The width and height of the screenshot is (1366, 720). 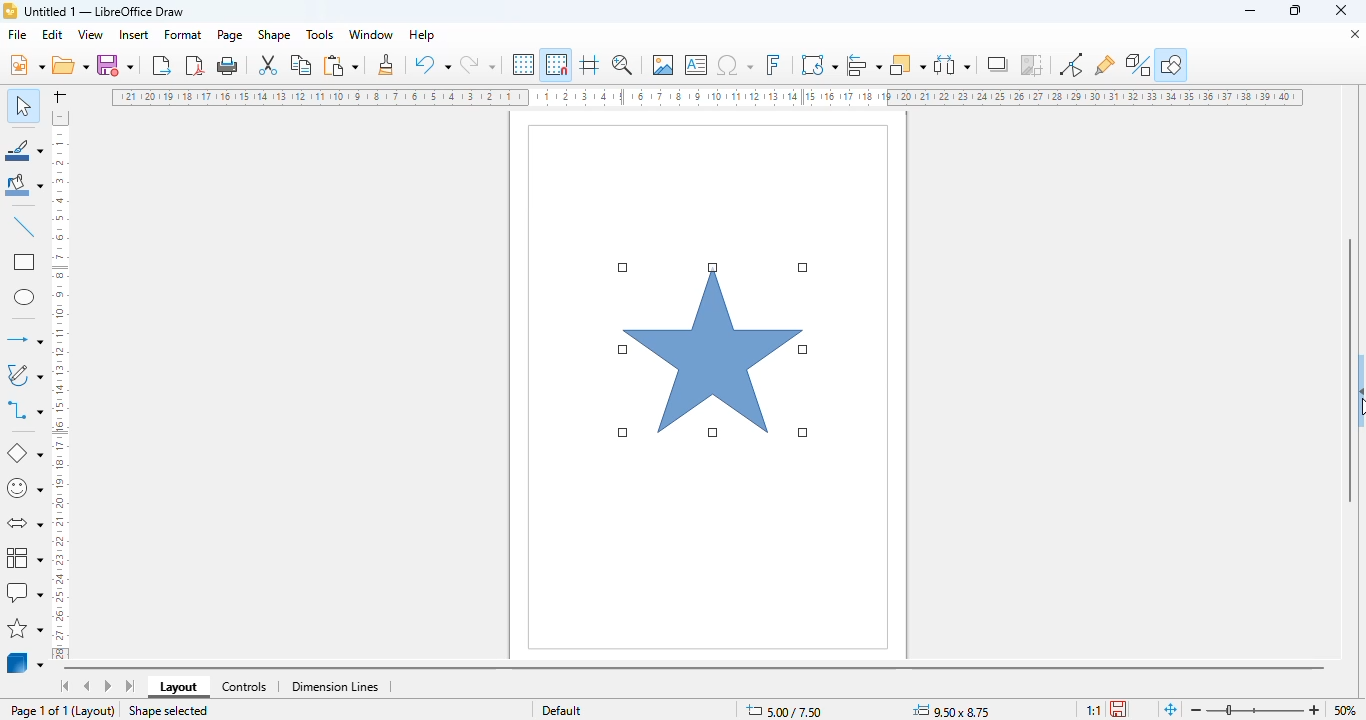 What do you see at coordinates (697, 668) in the screenshot?
I see `horizontal scroll bar` at bounding box center [697, 668].